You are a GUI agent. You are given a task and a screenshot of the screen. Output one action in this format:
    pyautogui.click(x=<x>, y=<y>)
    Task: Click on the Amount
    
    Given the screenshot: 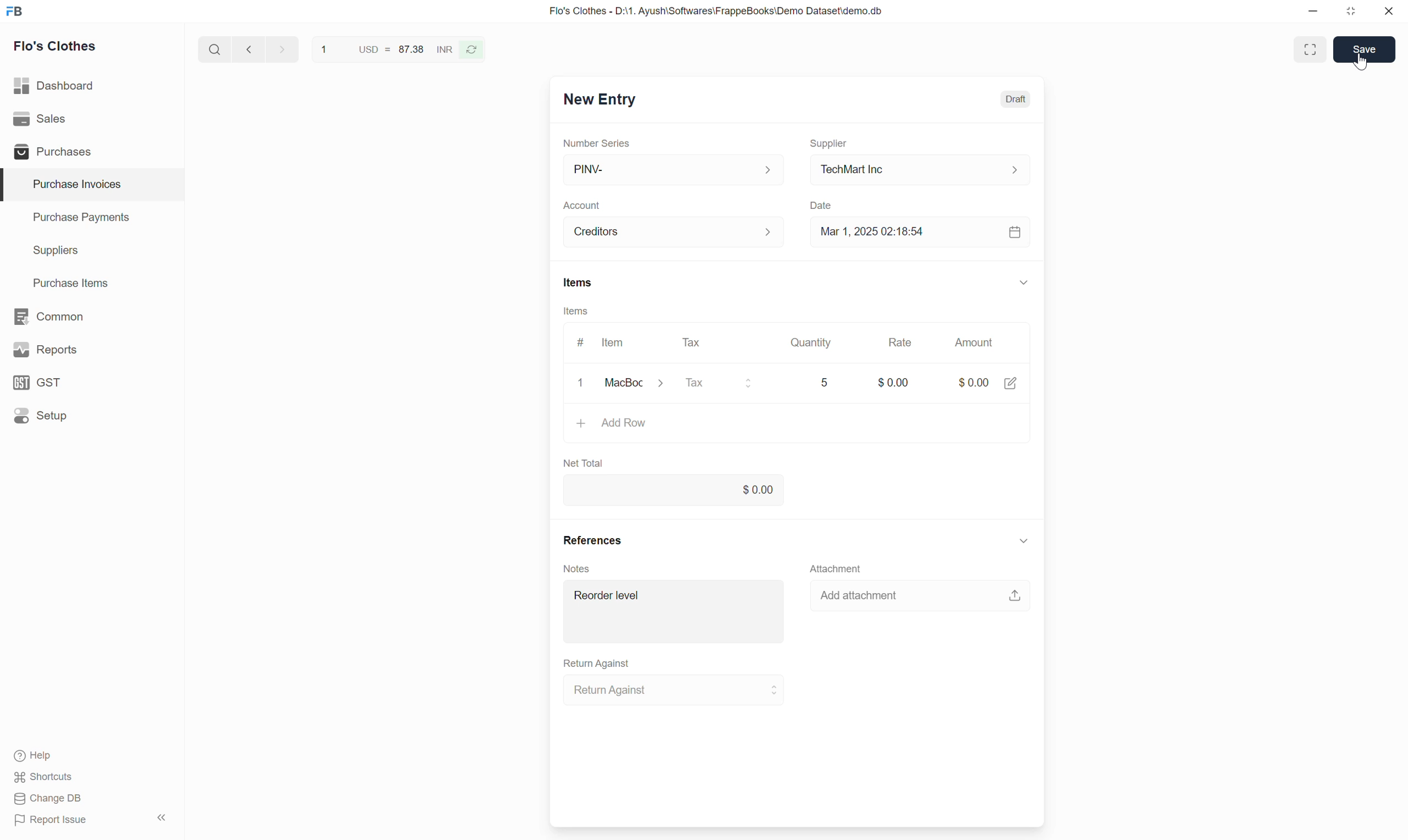 What is the action you would take?
    pyautogui.click(x=978, y=342)
    